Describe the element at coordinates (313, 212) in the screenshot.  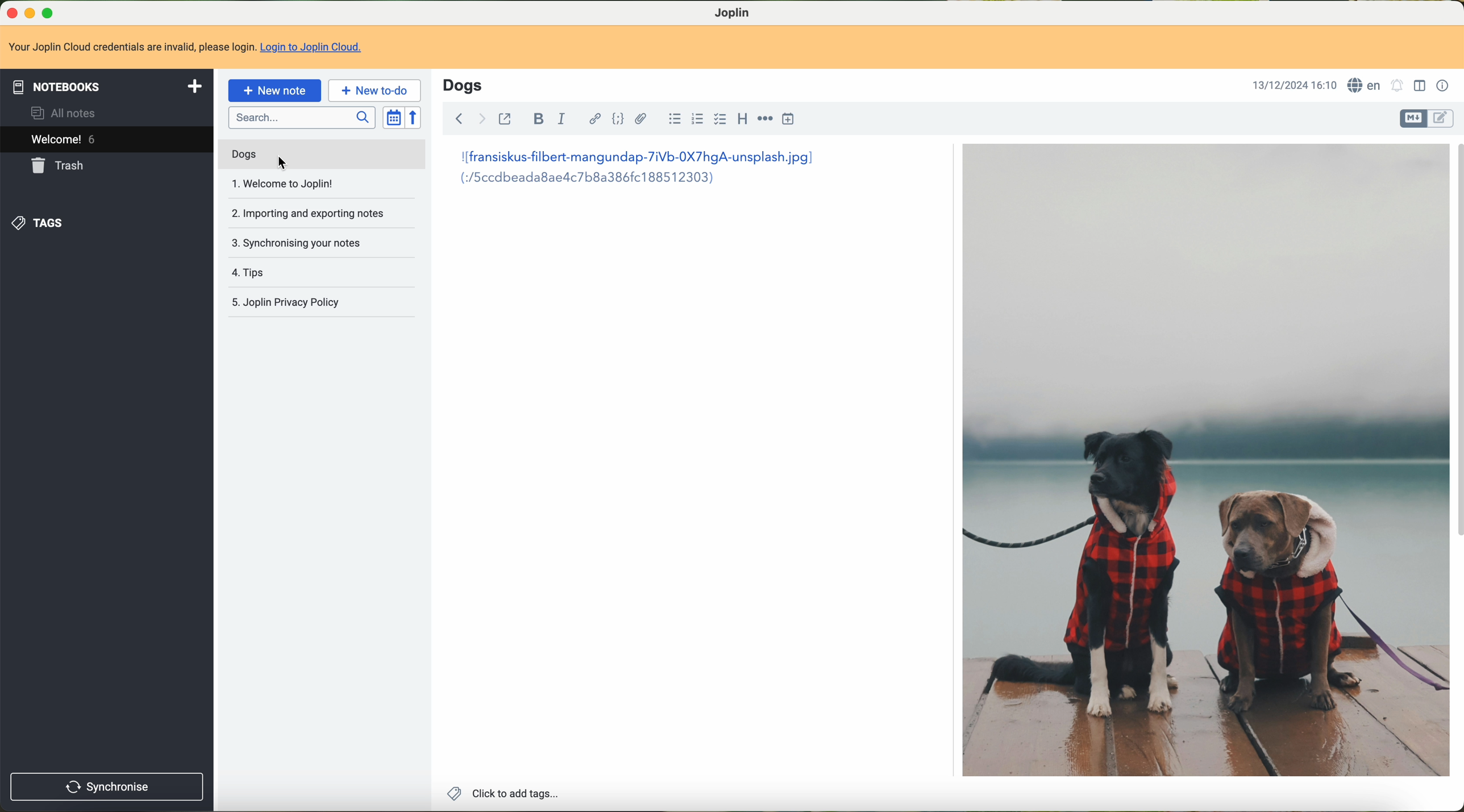
I see `importing and exporting notes` at that location.